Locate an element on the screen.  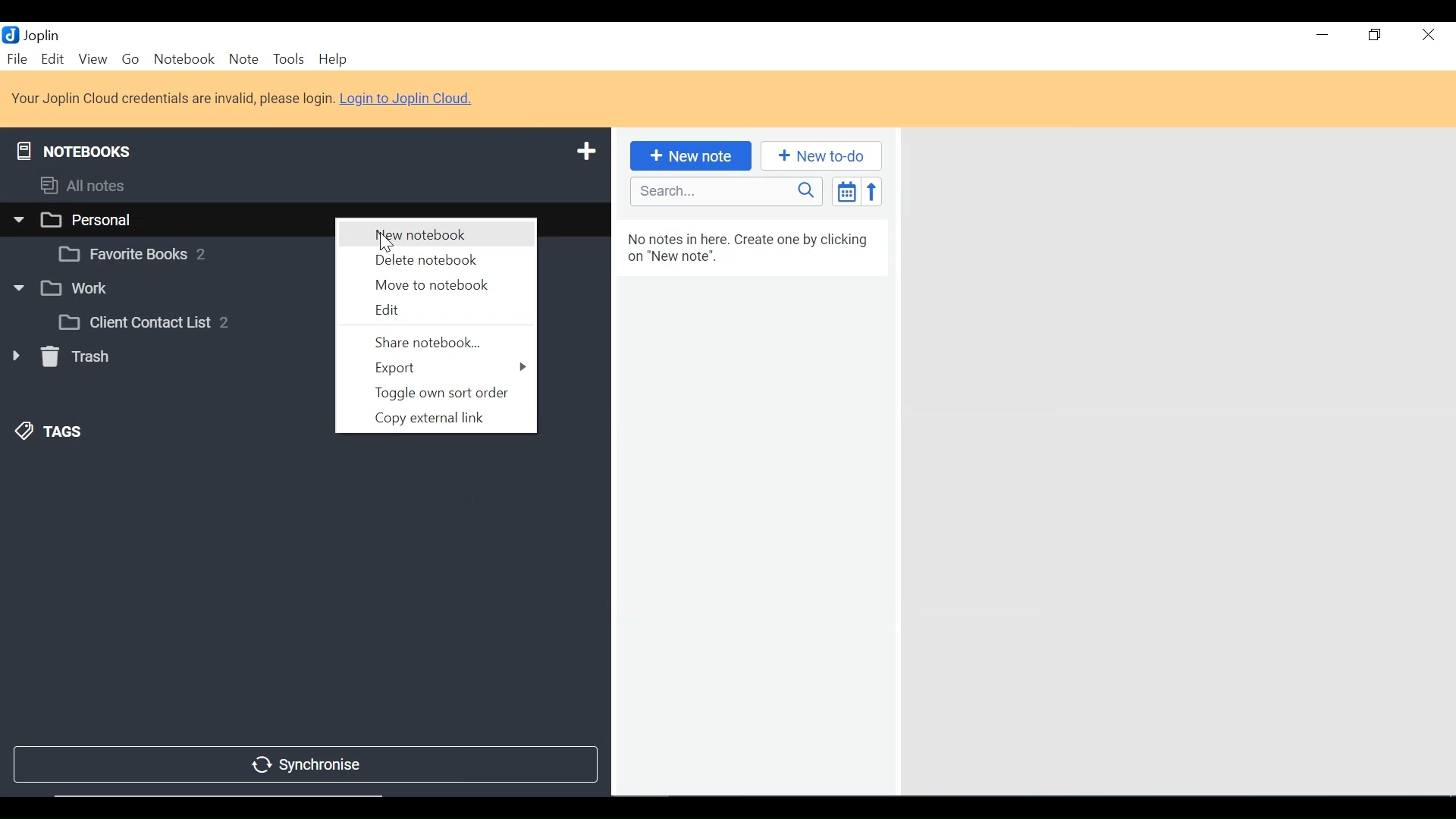
Add New to-do is located at coordinates (821, 156).